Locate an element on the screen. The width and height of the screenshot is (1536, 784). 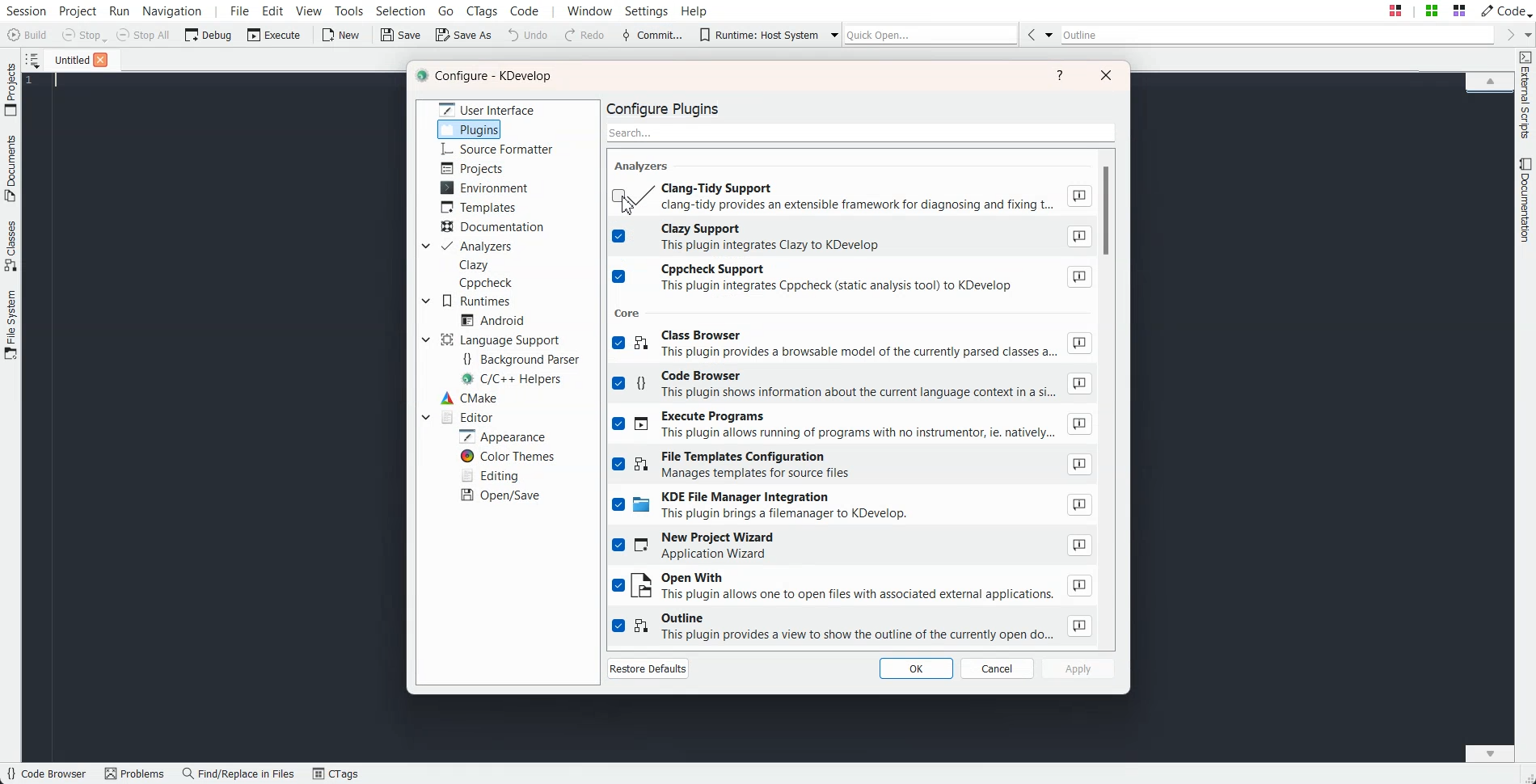
About is located at coordinates (1080, 626).